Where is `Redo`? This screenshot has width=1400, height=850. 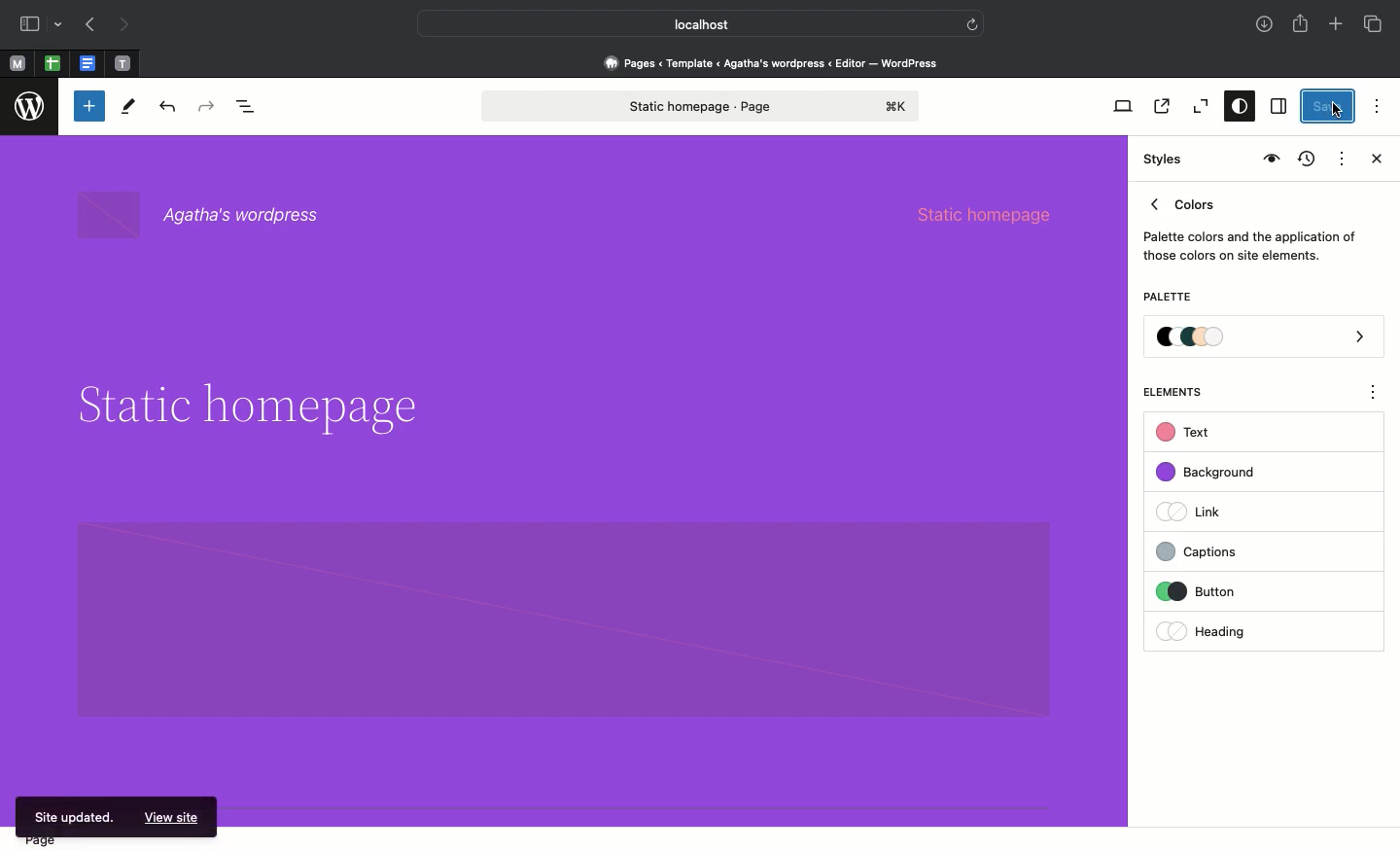
Redo is located at coordinates (209, 107).